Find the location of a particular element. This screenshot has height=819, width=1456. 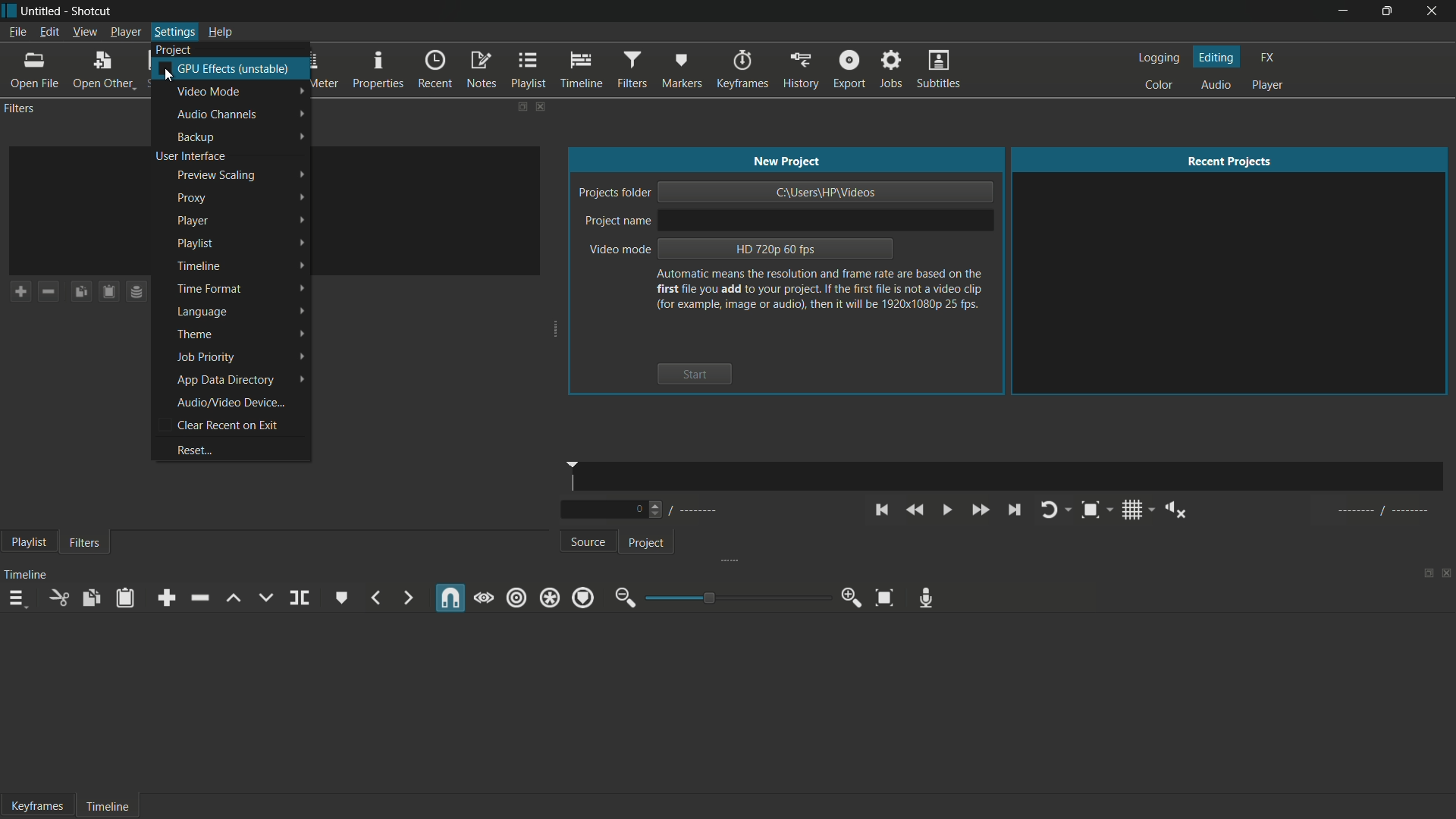

filters is located at coordinates (21, 108).